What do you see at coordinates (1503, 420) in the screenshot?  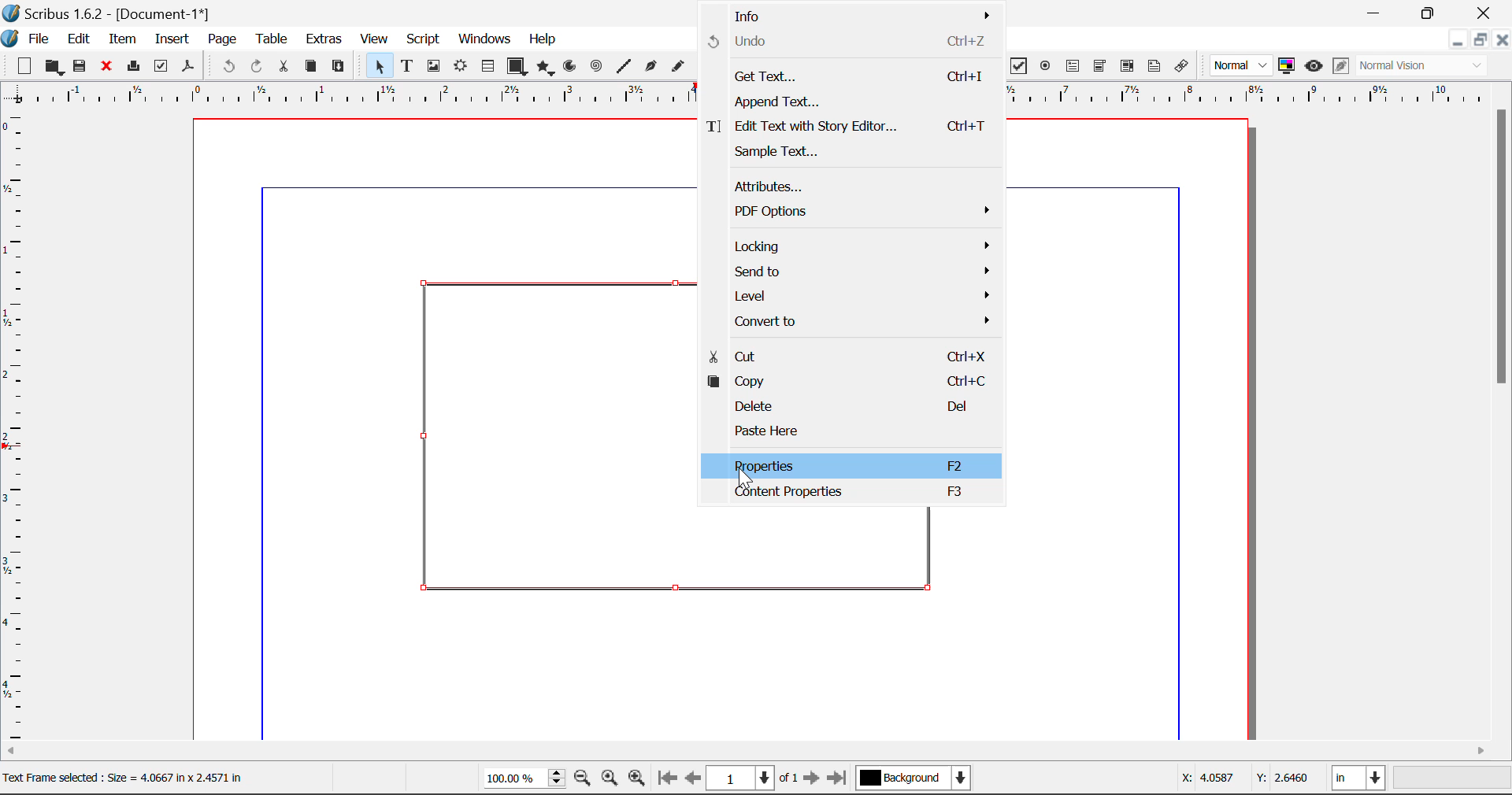 I see `Scroll Bar` at bounding box center [1503, 420].